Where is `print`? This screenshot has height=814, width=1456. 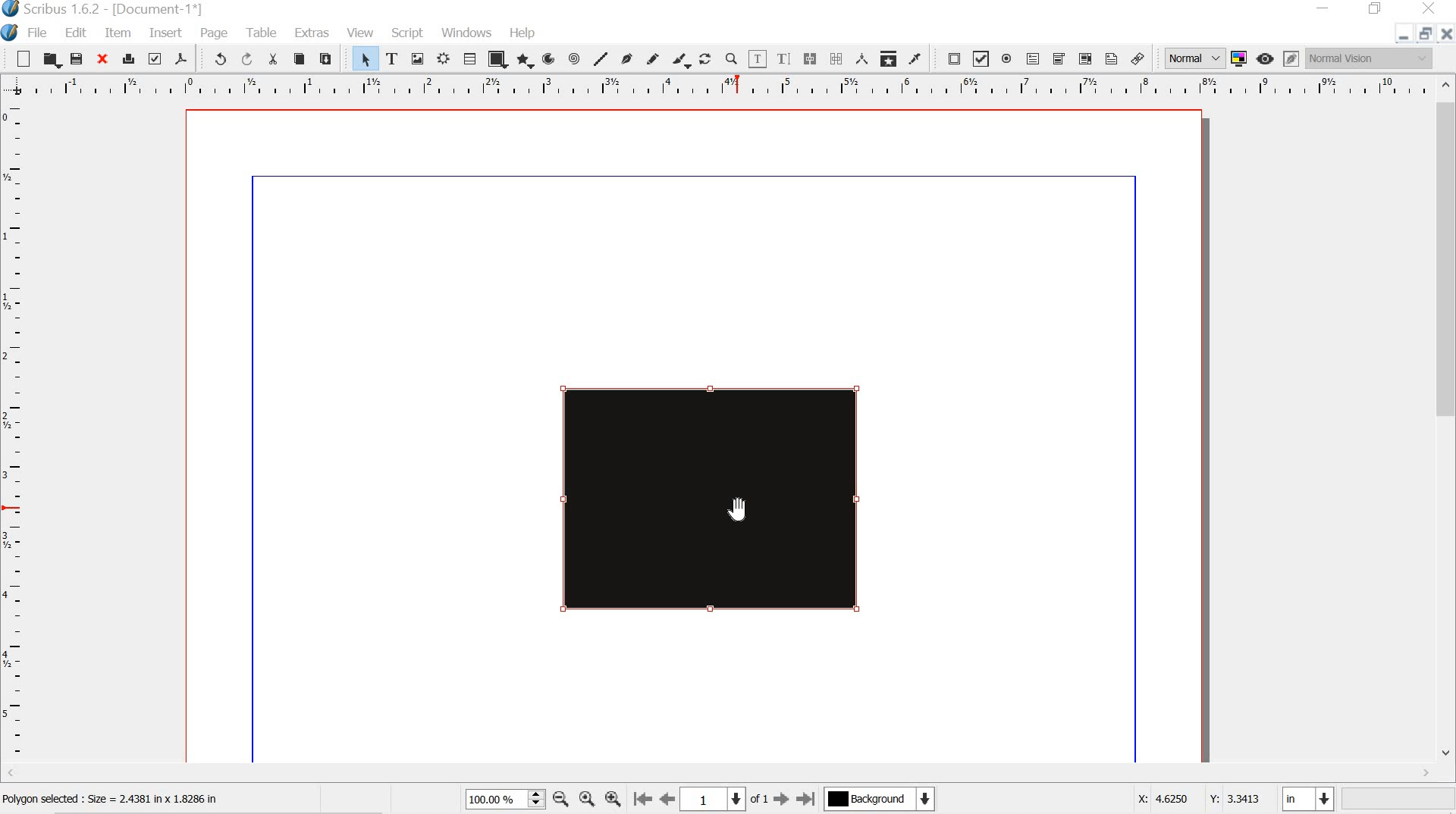 print is located at coordinates (127, 58).